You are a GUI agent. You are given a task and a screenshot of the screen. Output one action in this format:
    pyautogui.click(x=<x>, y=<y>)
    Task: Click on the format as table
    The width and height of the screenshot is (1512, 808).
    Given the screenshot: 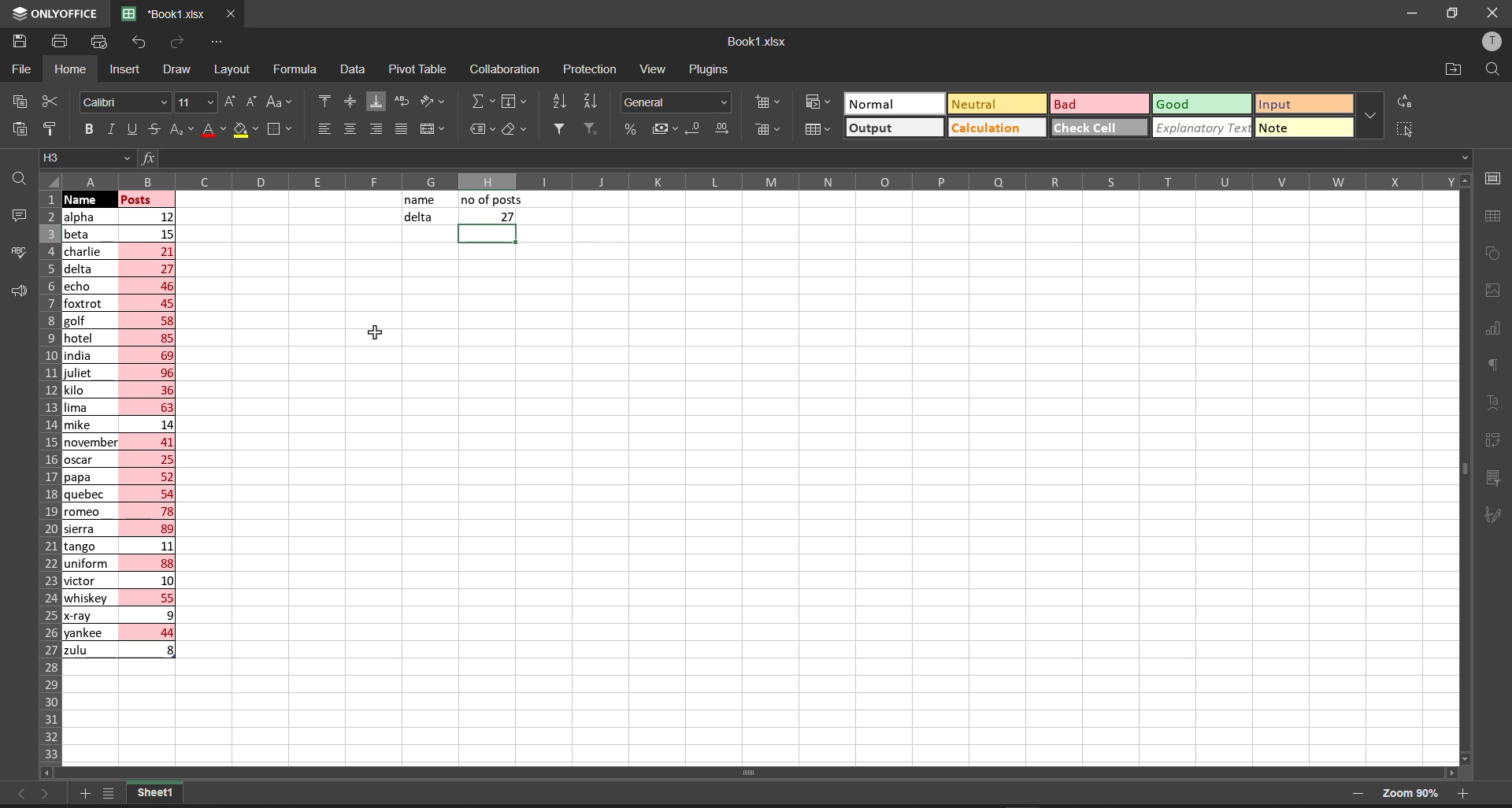 What is the action you would take?
    pyautogui.click(x=817, y=129)
    